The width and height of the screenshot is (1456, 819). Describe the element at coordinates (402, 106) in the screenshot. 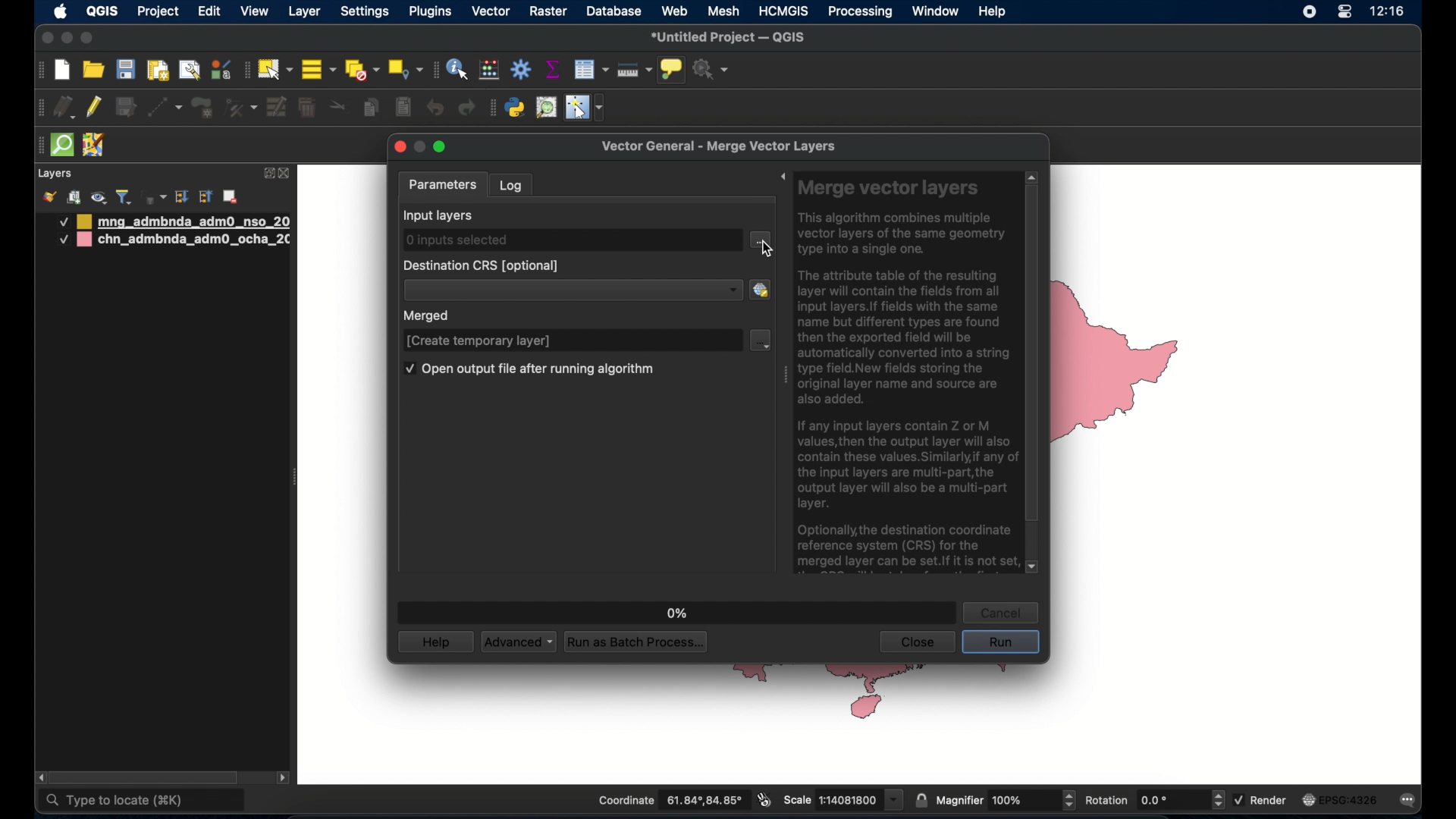

I see `paste features` at that location.